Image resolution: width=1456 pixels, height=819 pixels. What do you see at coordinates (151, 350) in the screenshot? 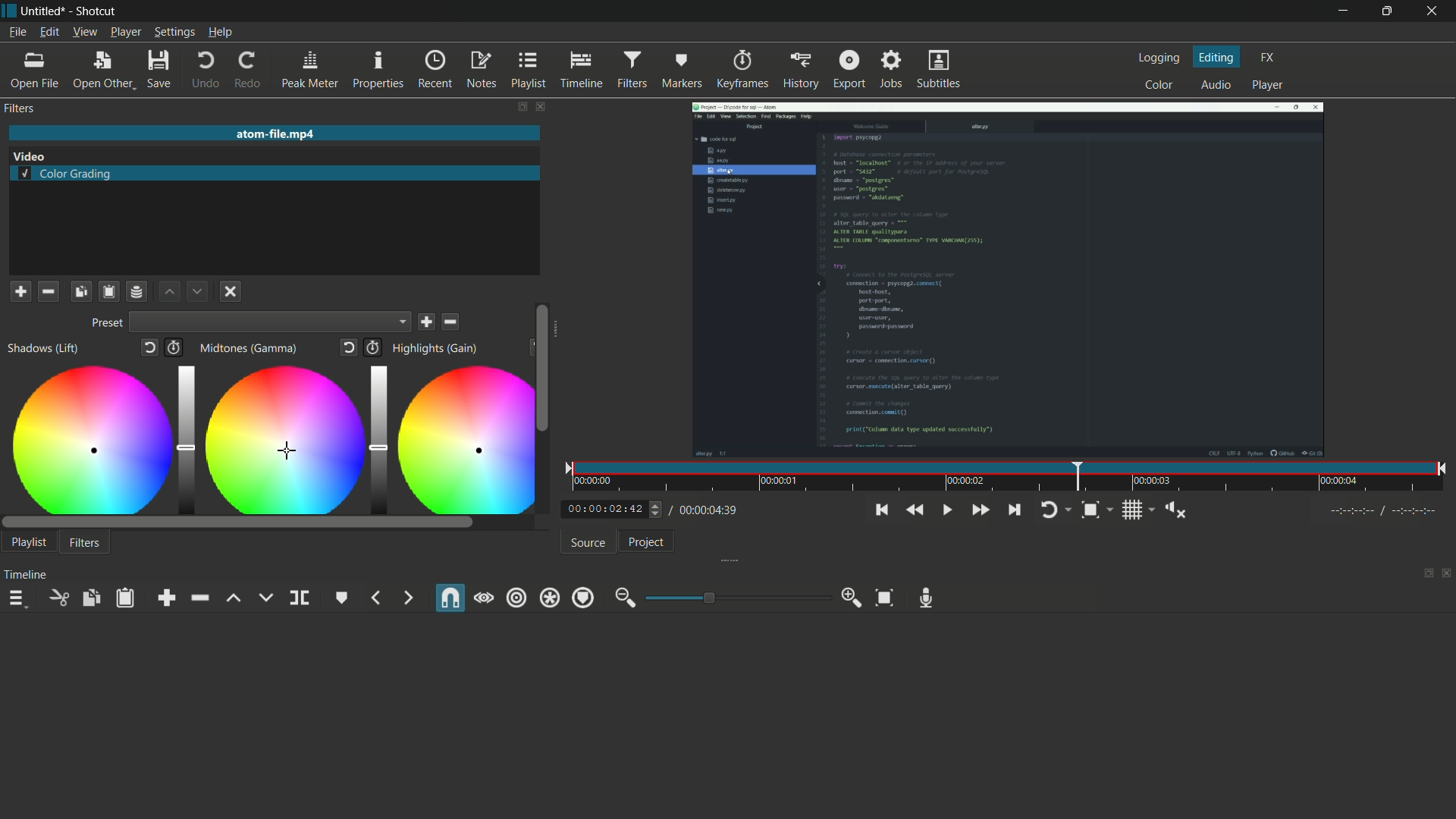
I see `reset to default` at bounding box center [151, 350].